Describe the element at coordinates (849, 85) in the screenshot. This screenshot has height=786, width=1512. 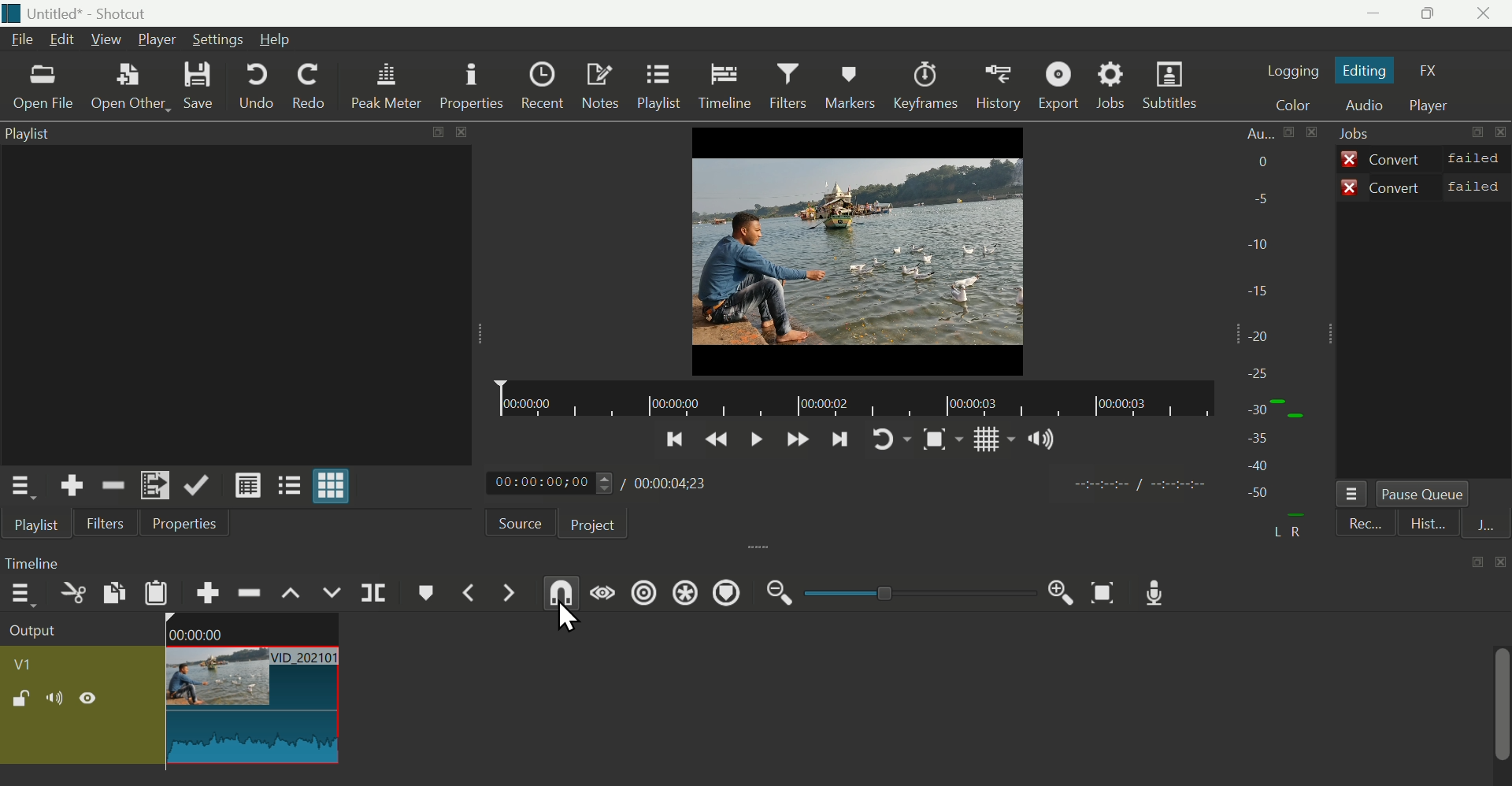
I see `Markers` at that location.